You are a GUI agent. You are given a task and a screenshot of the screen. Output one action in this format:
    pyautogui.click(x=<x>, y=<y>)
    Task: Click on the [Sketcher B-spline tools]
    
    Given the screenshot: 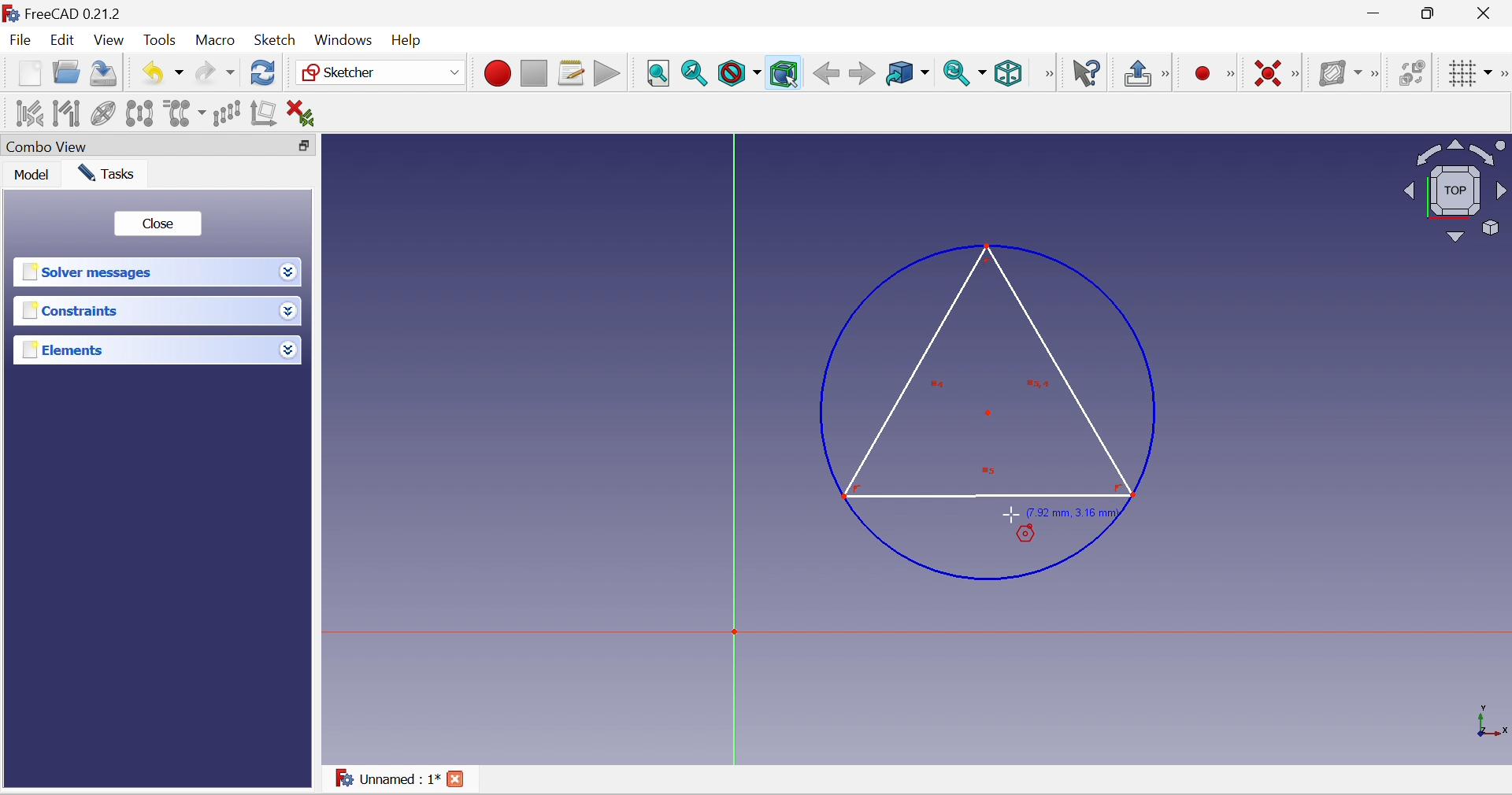 What is the action you would take?
    pyautogui.click(x=1378, y=74)
    